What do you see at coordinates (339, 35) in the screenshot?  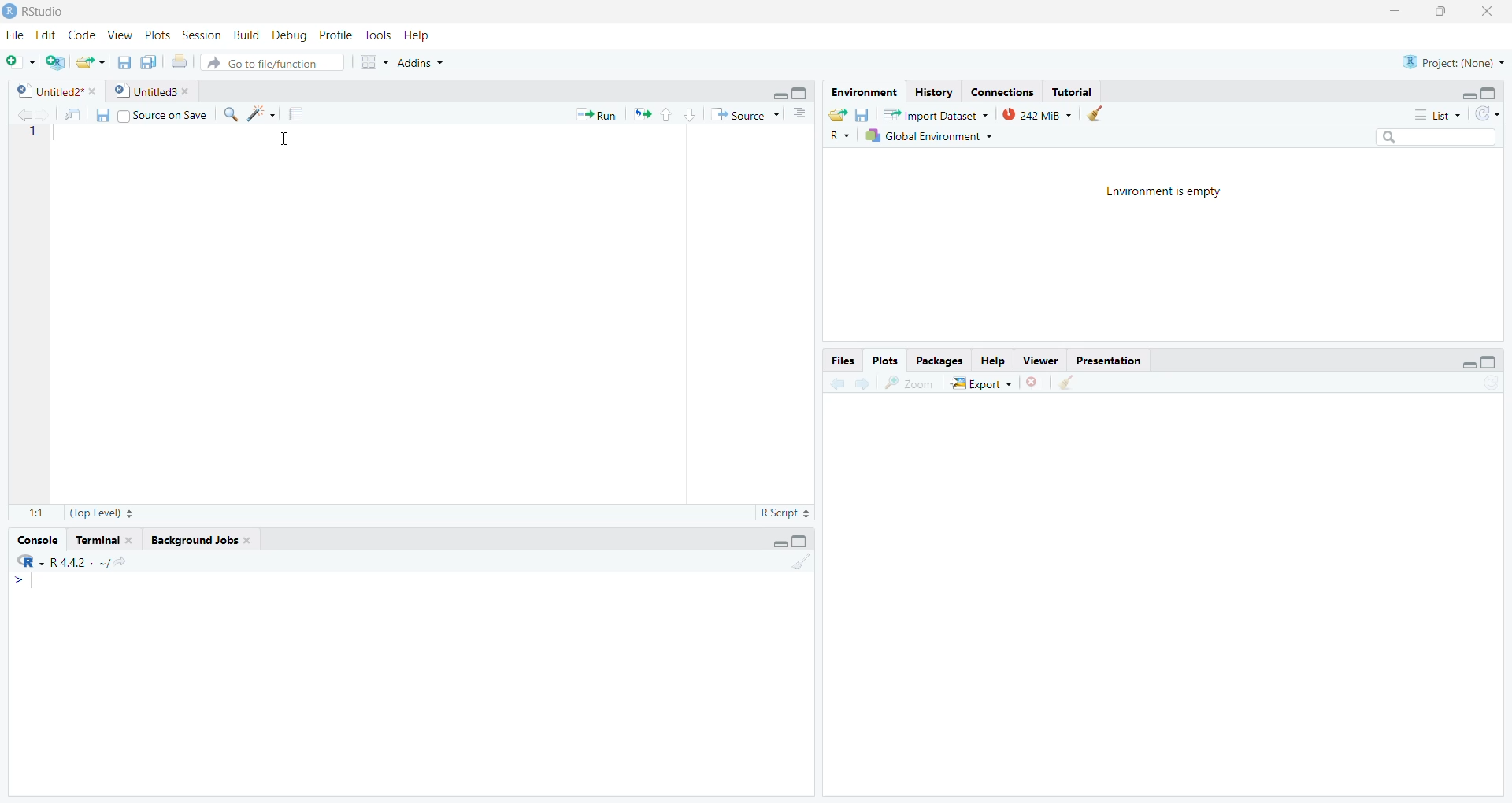 I see `Profile` at bounding box center [339, 35].